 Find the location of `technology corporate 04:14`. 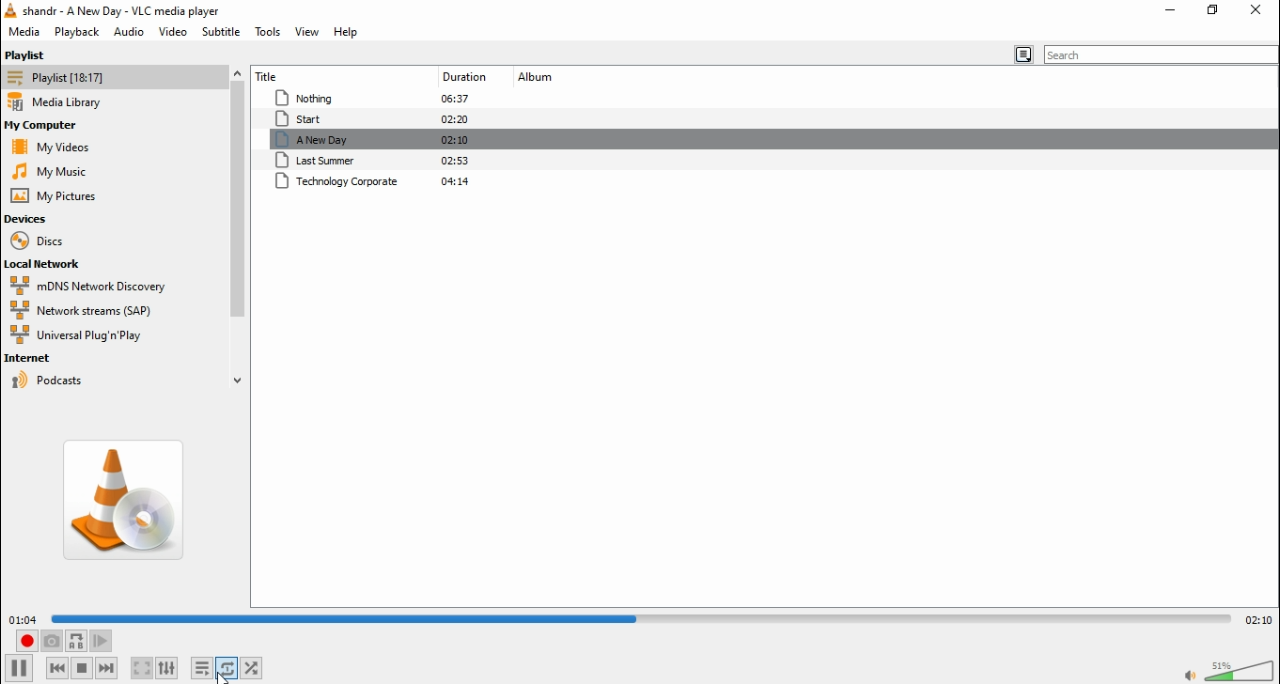

technology corporate 04:14 is located at coordinates (376, 182).